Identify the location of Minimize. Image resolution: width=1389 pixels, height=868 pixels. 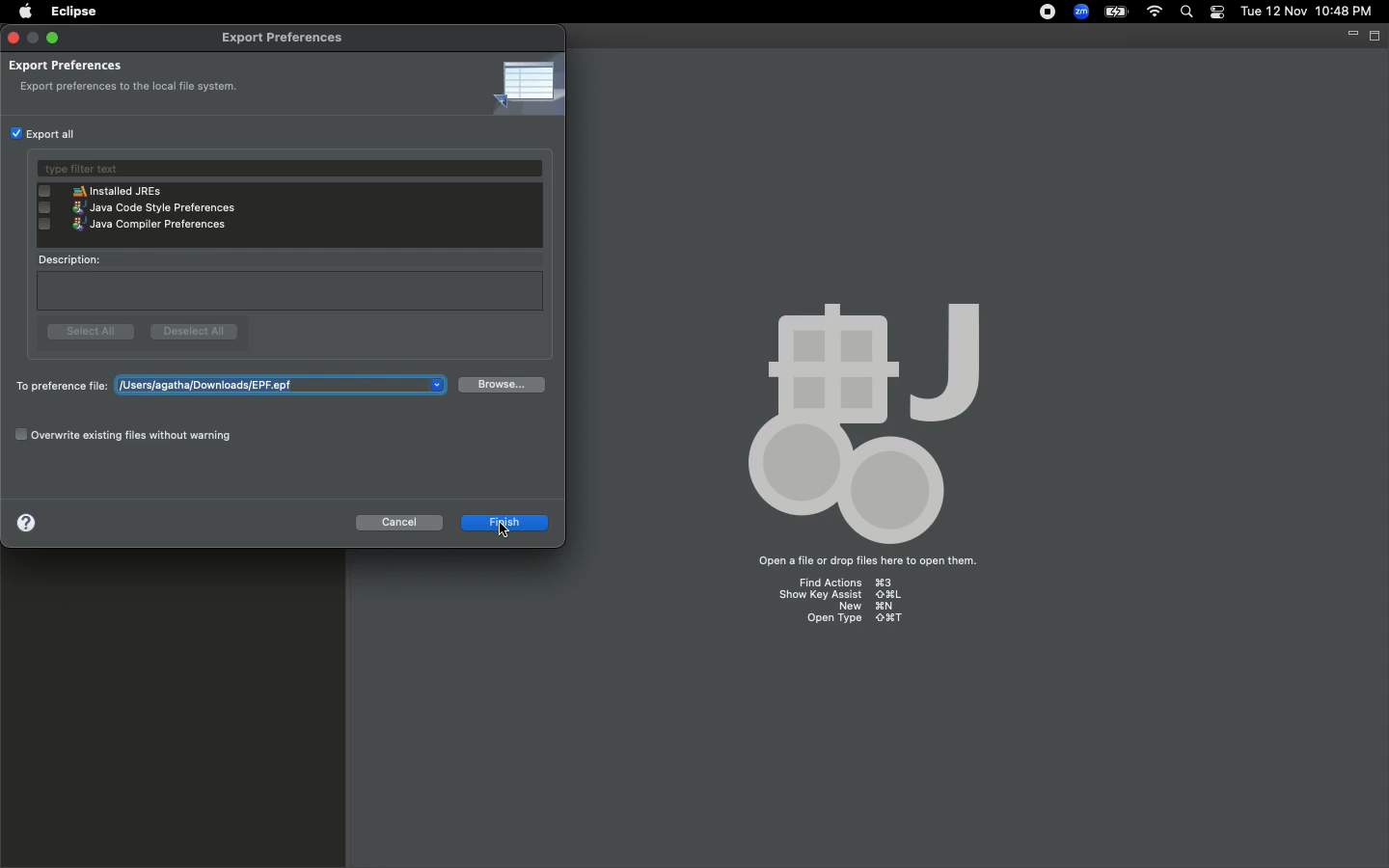
(1349, 34).